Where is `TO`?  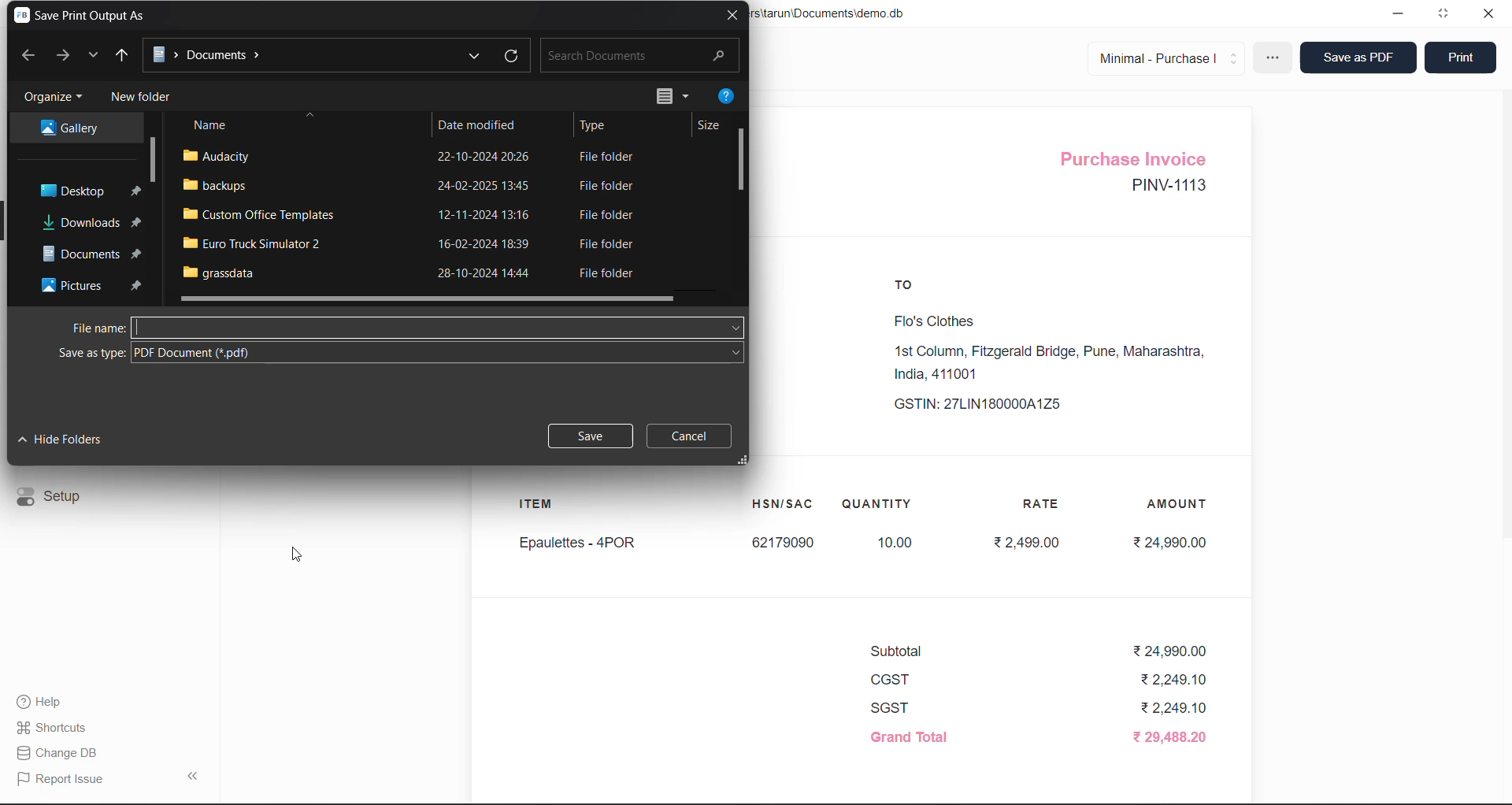
TO is located at coordinates (910, 289).